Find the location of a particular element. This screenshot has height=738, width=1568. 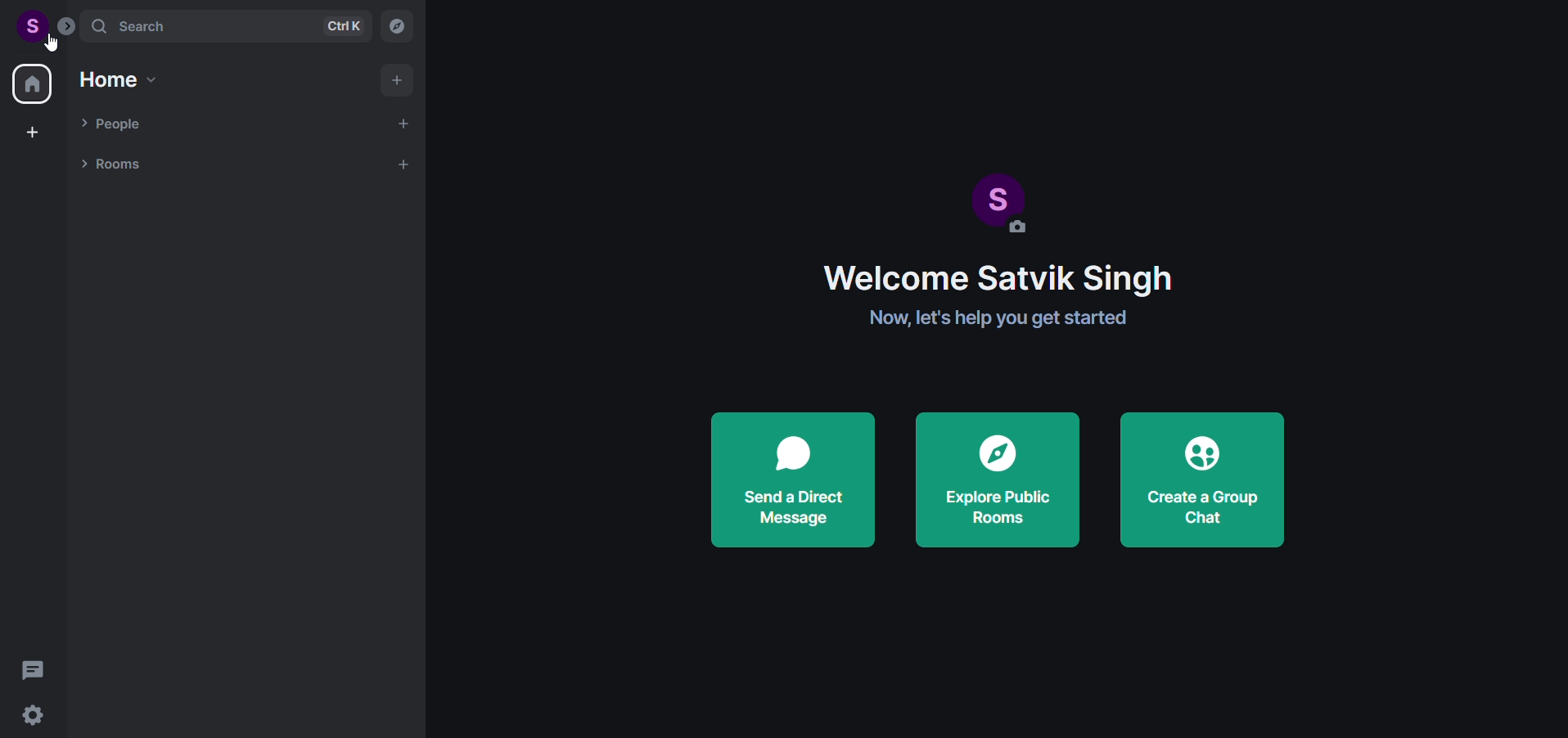

Welcome Satvik Singh
Now, let's help you get started is located at coordinates (1035, 310).